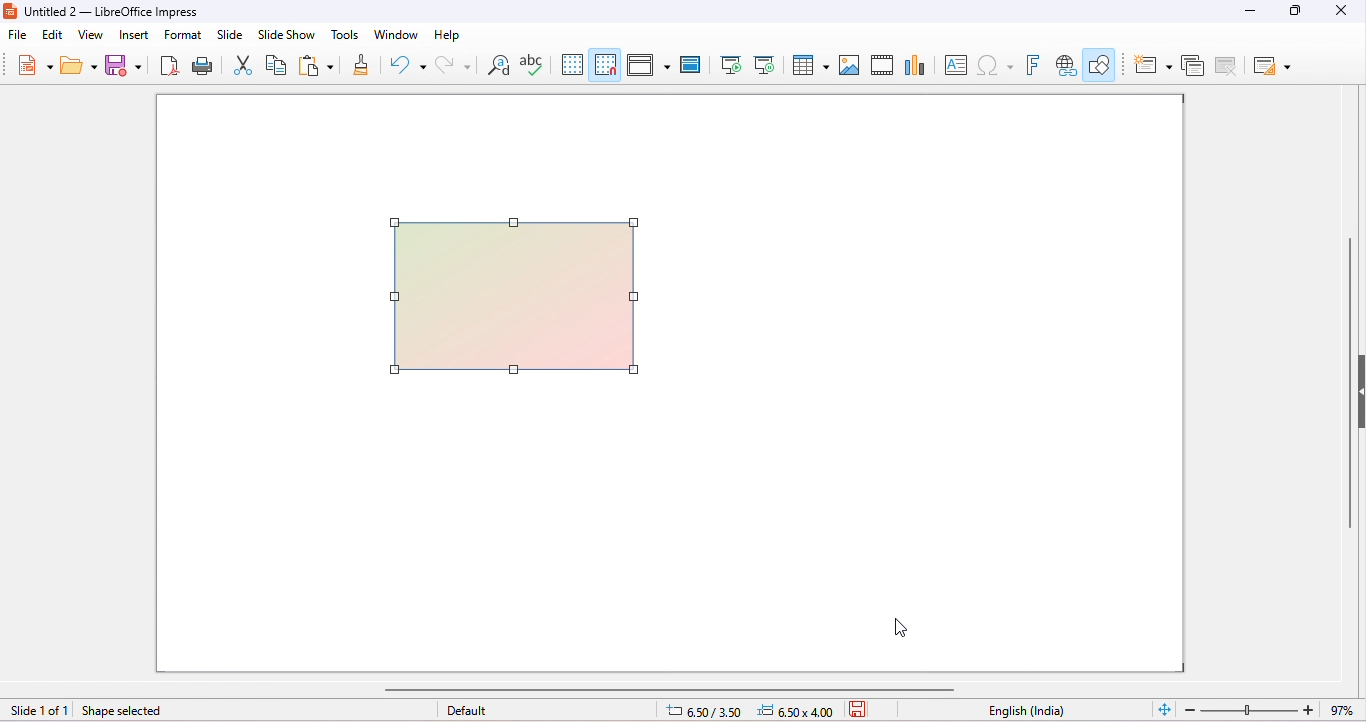 The image size is (1366, 722). I want to click on undo, so click(406, 65).